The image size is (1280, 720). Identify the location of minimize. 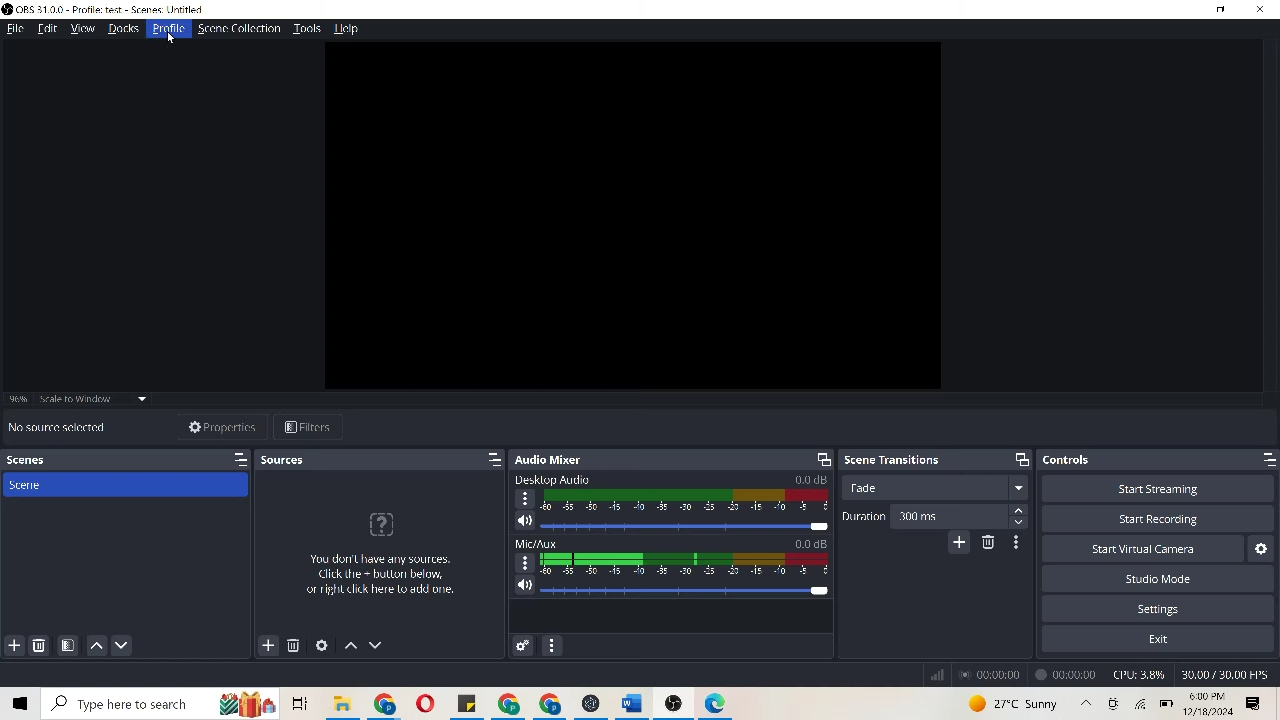
(1222, 11).